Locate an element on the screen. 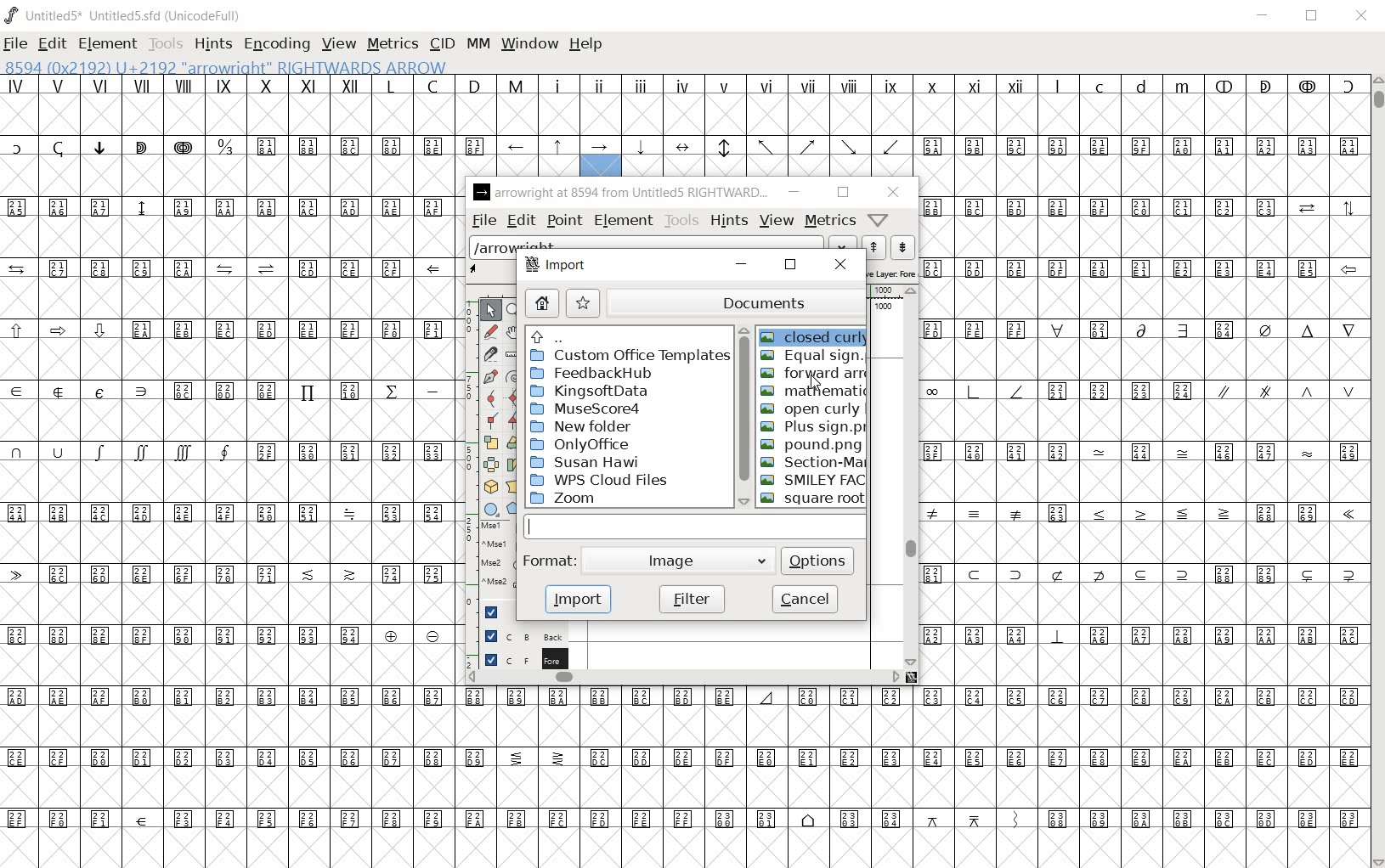 This screenshot has width=1385, height=868. gylph characters is located at coordinates (602, 104).